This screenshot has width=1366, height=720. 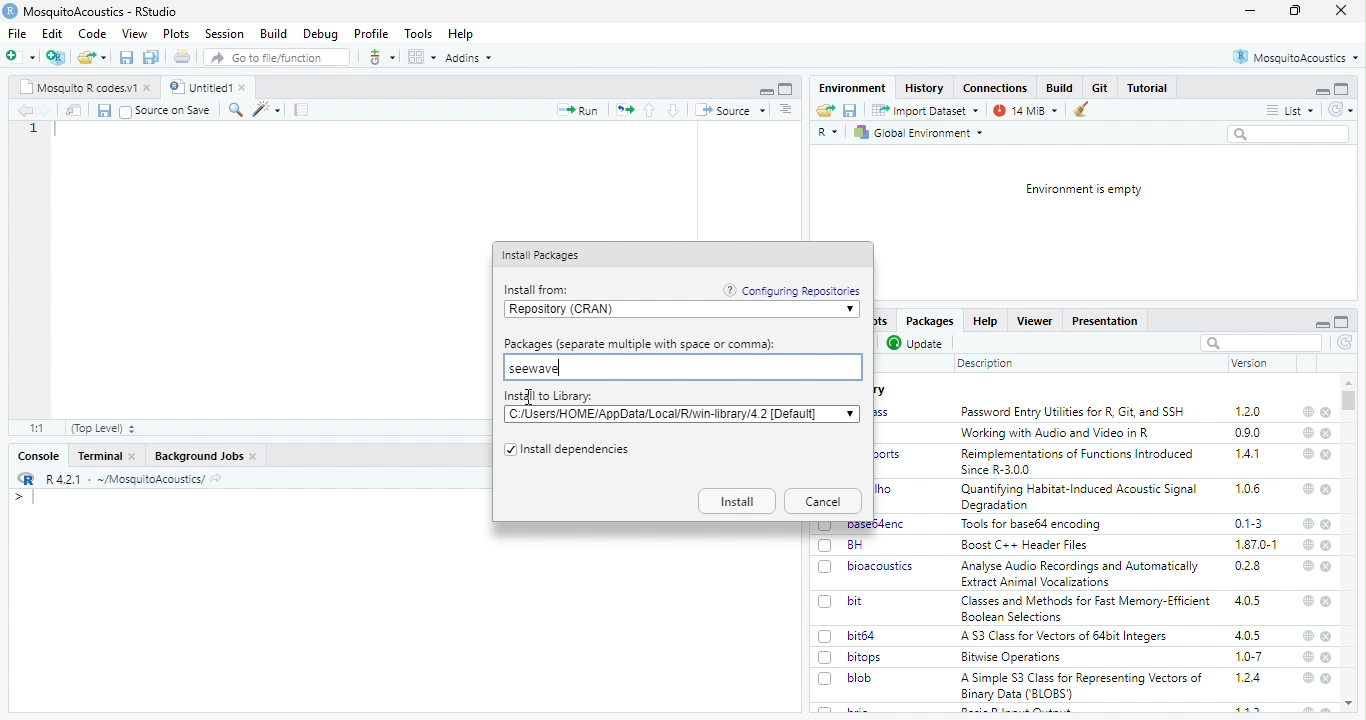 What do you see at coordinates (826, 568) in the screenshot?
I see `checkbox` at bounding box center [826, 568].